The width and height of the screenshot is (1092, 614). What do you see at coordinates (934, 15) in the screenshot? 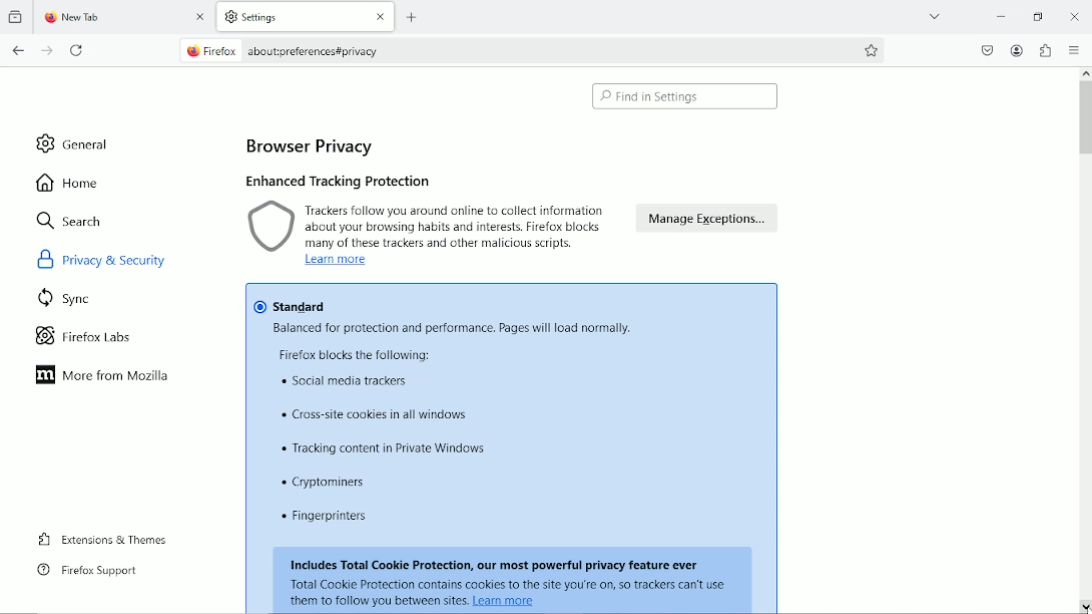
I see `List all tabs` at bounding box center [934, 15].